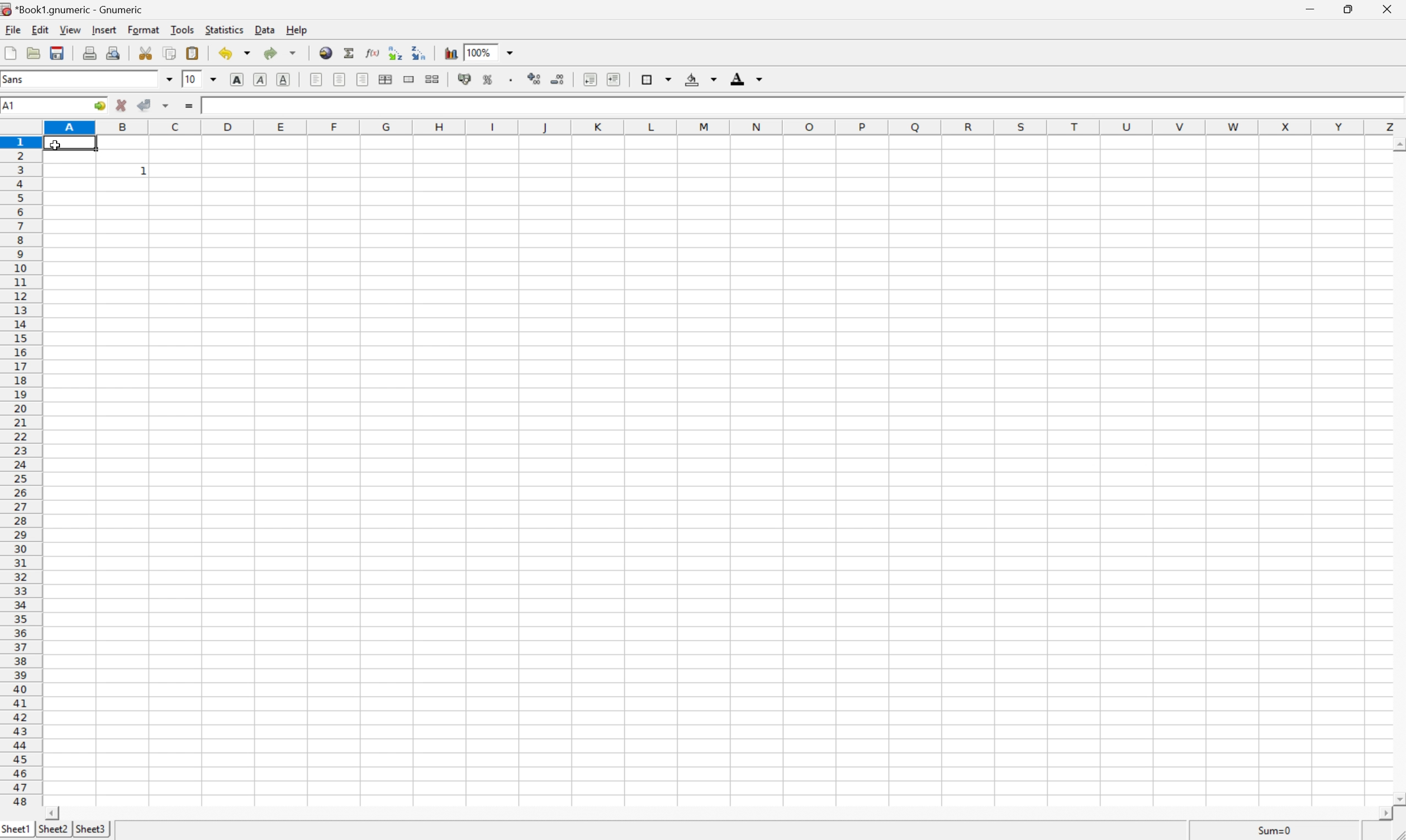  Describe the element at coordinates (281, 53) in the screenshot. I see `redo` at that location.